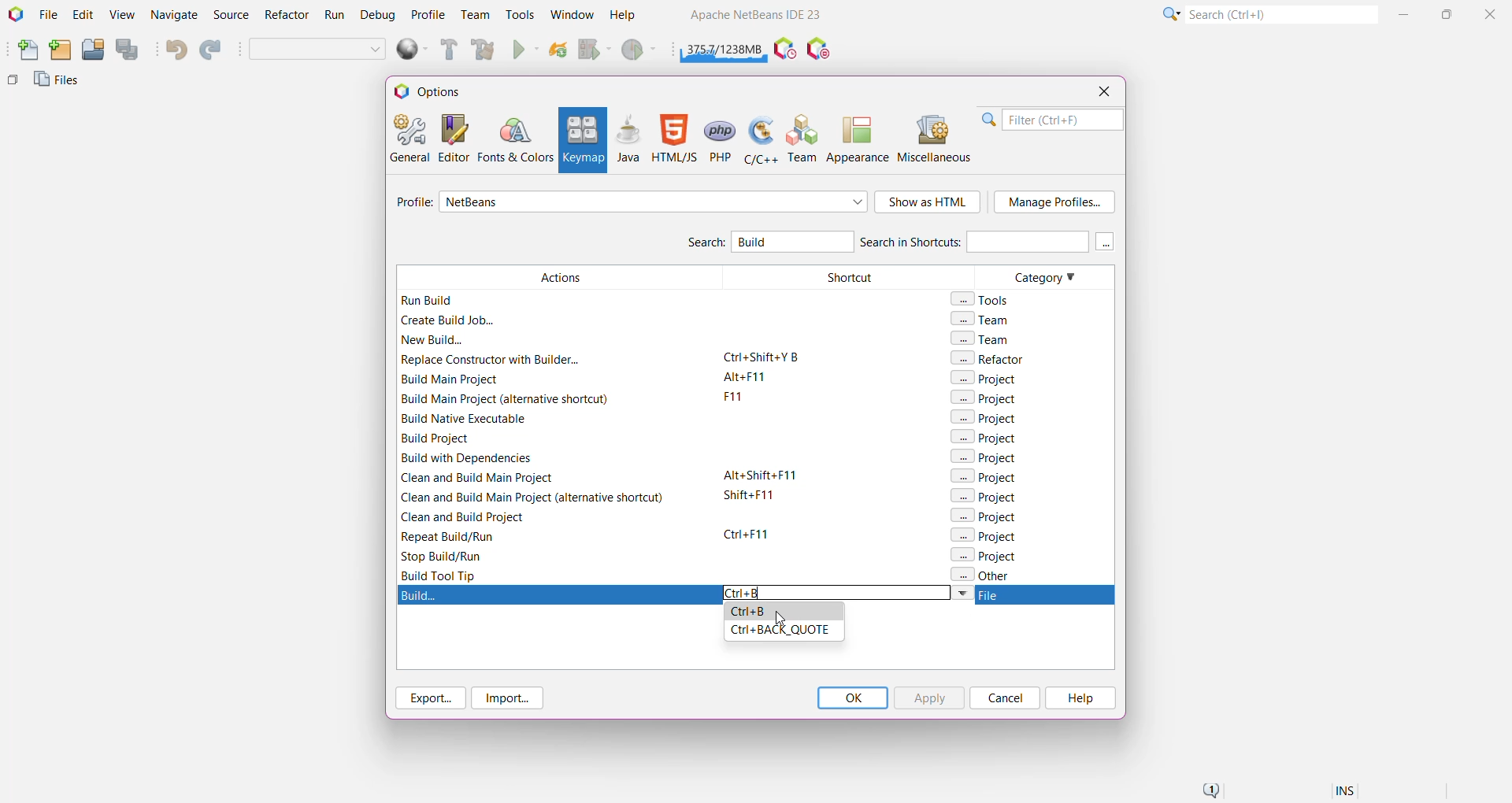  Describe the element at coordinates (673, 139) in the screenshot. I see `HTML/JS` at that location.